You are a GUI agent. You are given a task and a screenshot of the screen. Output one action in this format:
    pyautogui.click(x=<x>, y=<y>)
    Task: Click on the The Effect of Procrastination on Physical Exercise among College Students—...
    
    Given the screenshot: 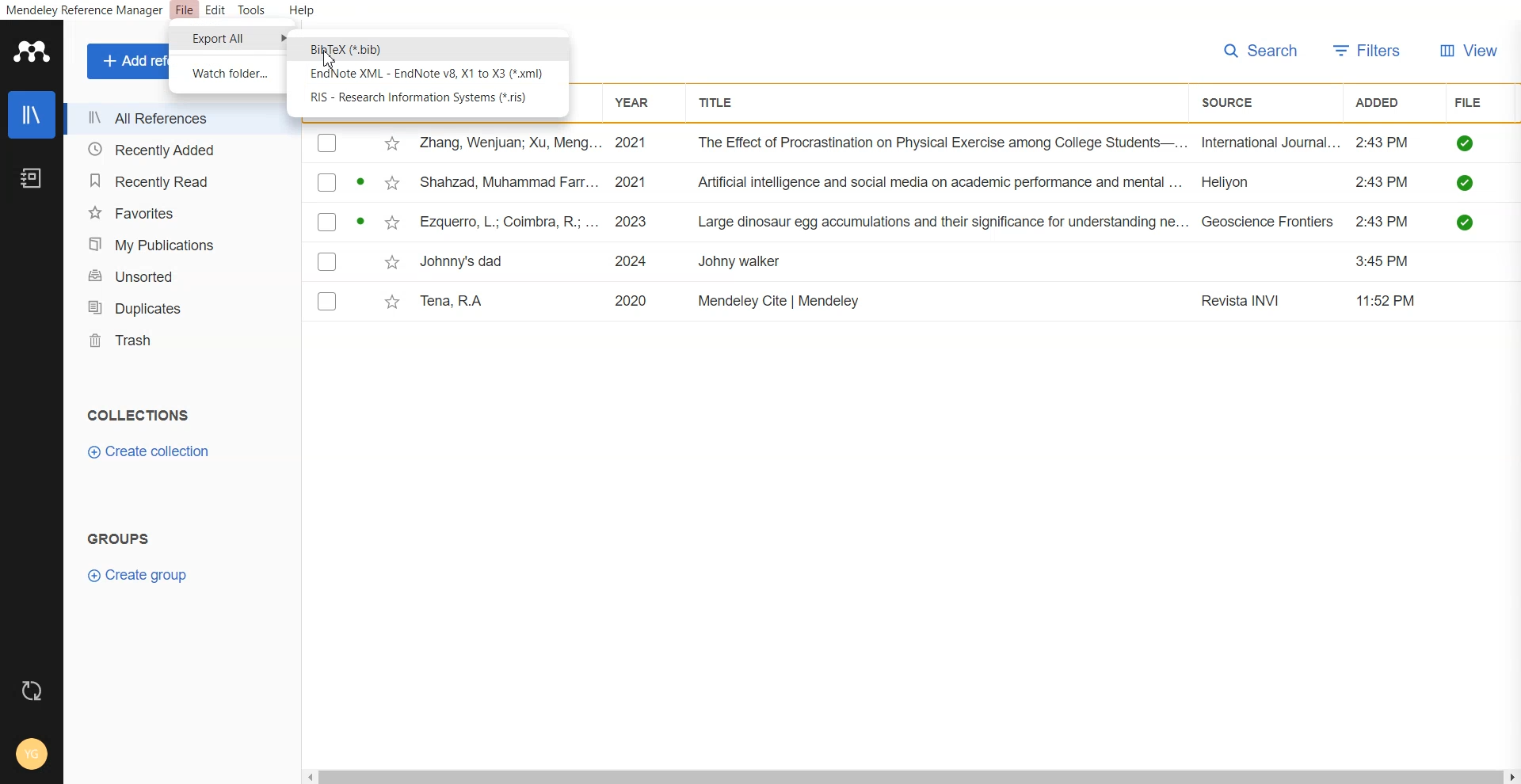 What is the action you would take?
    pyautogui.click(x=943, y=143)
    